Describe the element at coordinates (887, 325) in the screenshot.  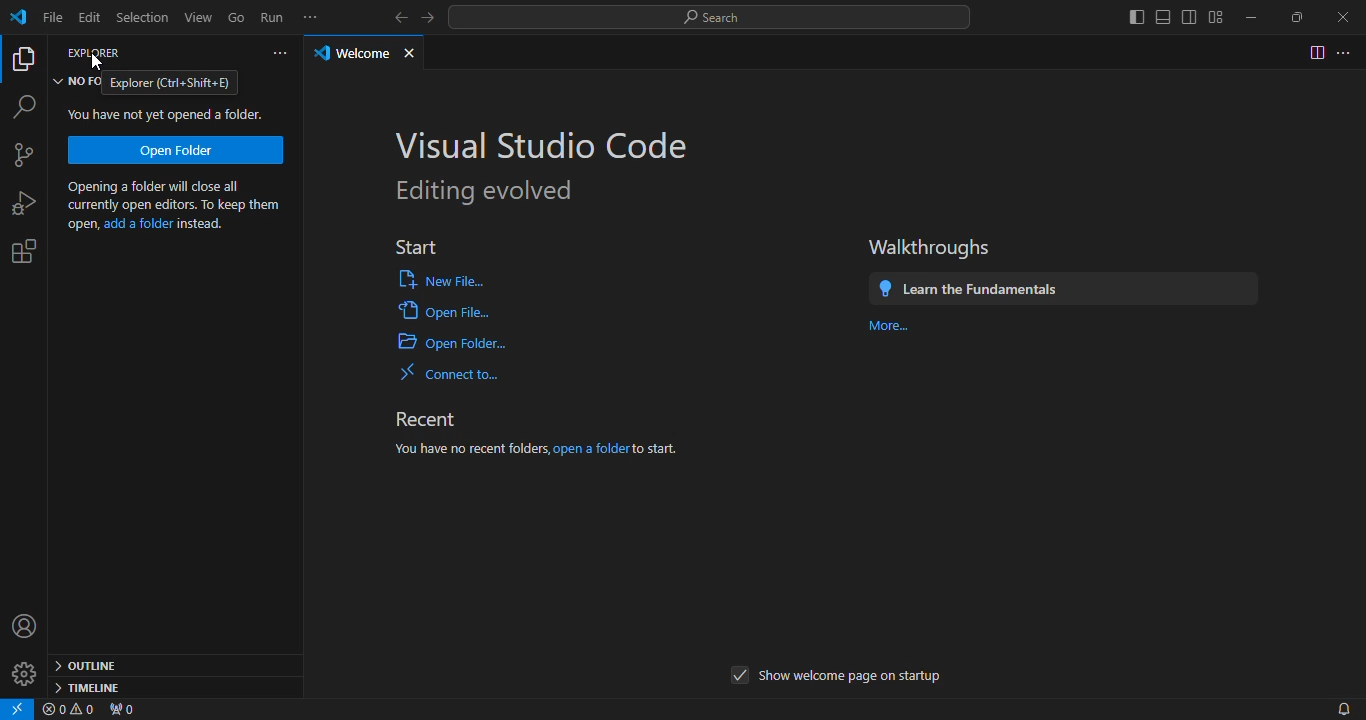
I see `More` at that location.